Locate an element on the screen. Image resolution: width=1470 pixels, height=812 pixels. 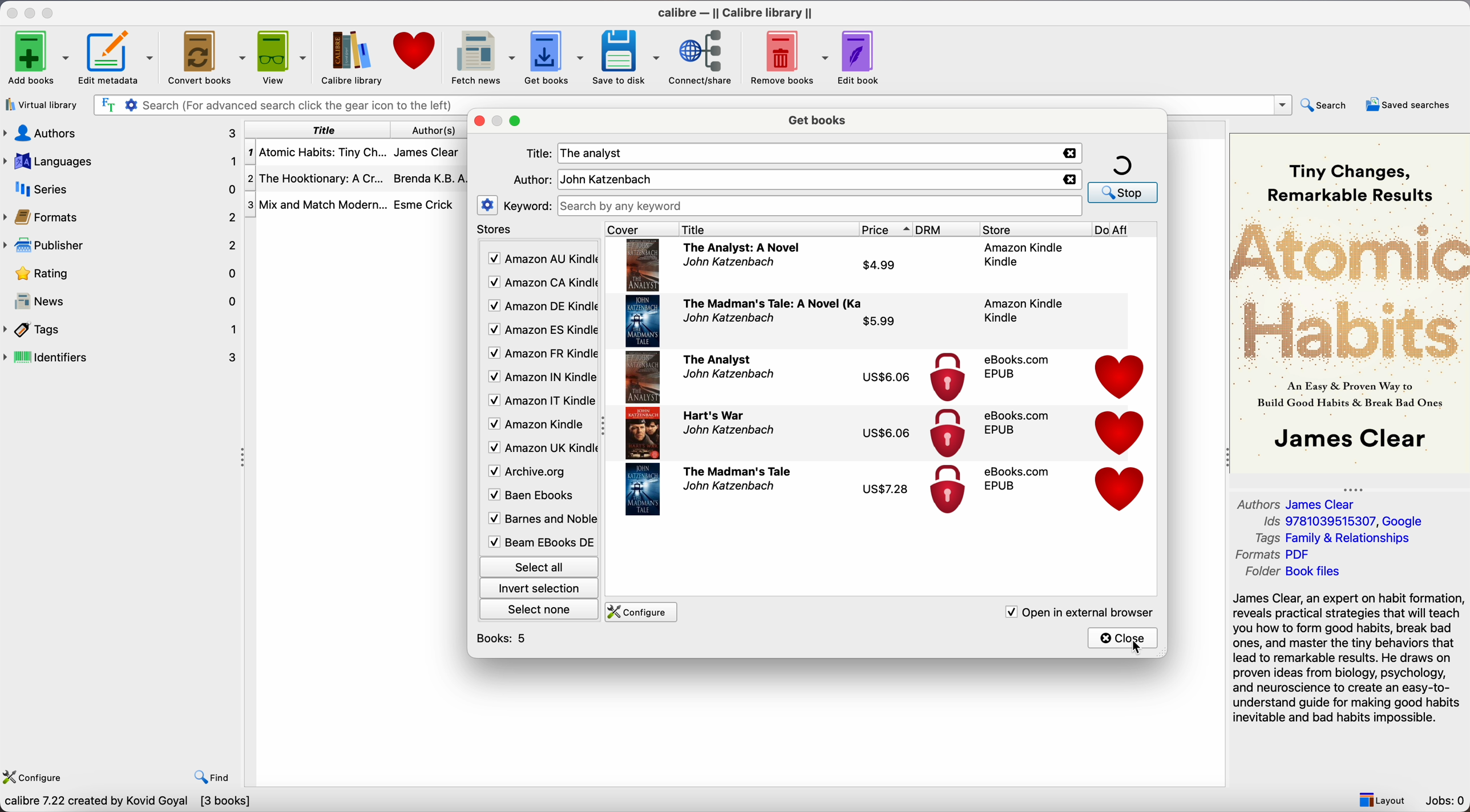
Esme Crick is located at coordinates (423, 204).